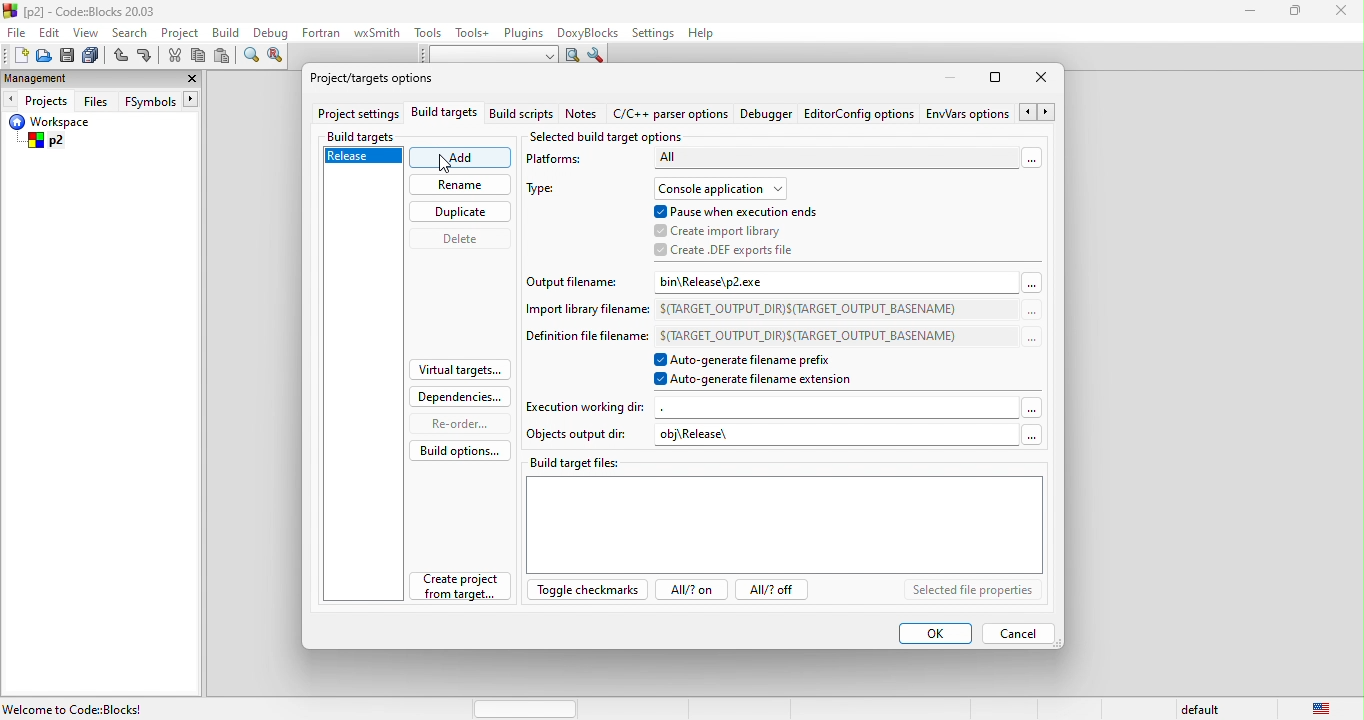 This screenshot has width=1364, height=720. What do you see at coordinates (671, 113) in the screenshot?
I see `c\c++parser option` at bounding box center [671, 113].